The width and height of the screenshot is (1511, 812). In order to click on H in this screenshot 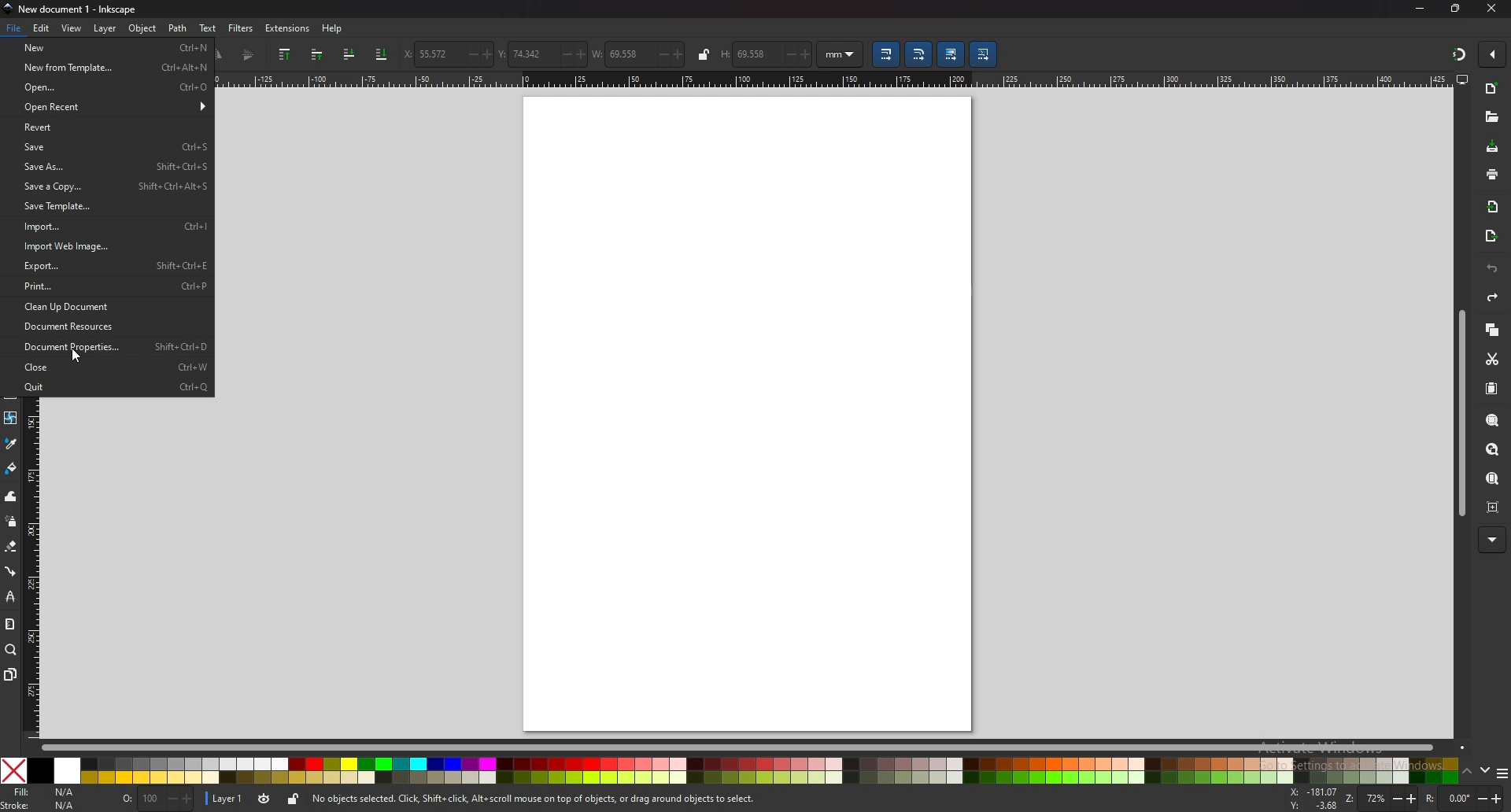, I will do `click(724, 56)`.